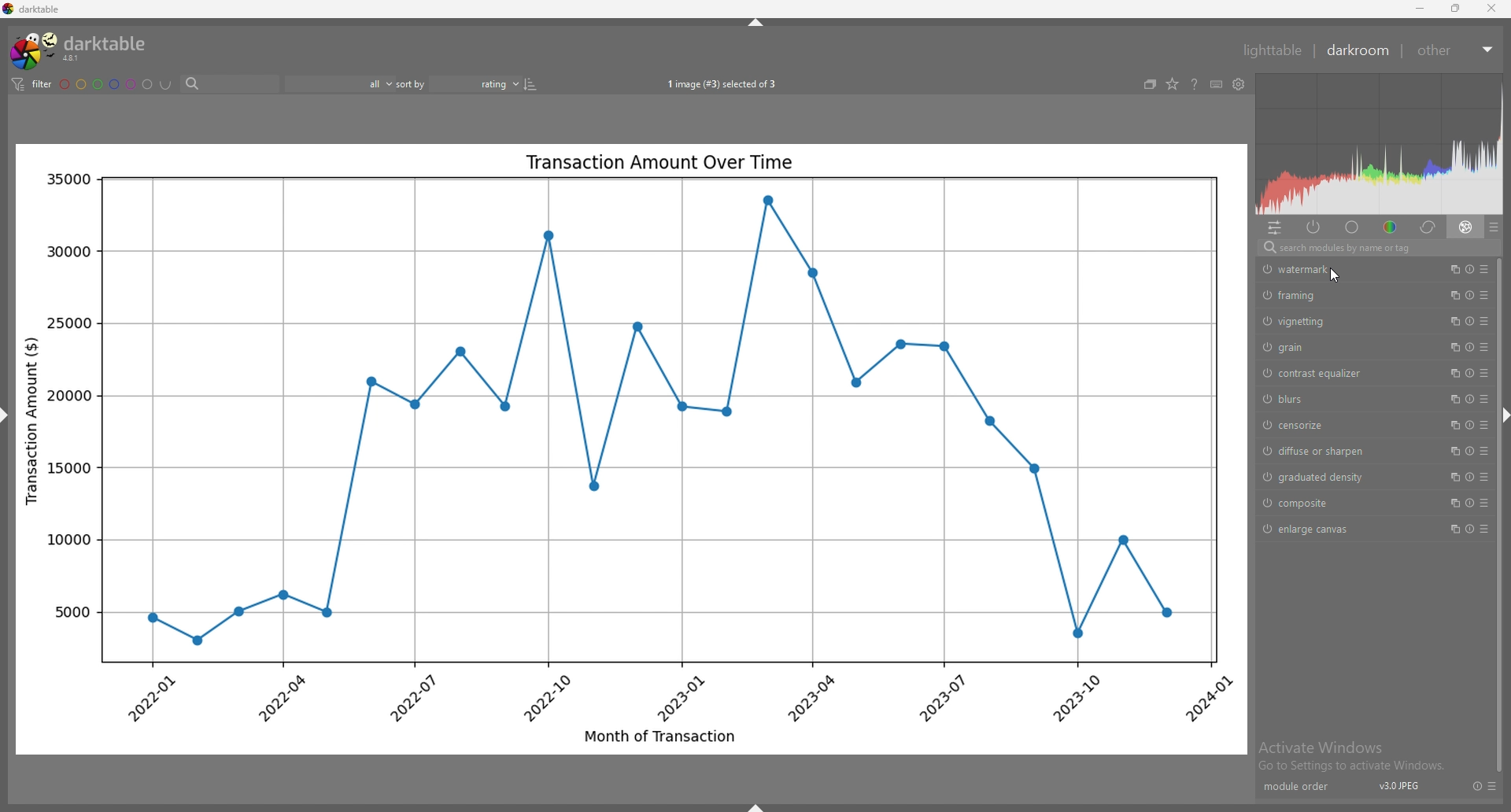  Describe the element at coordinates (1332, 279) in the screenshot. I see `cursor` at that location.